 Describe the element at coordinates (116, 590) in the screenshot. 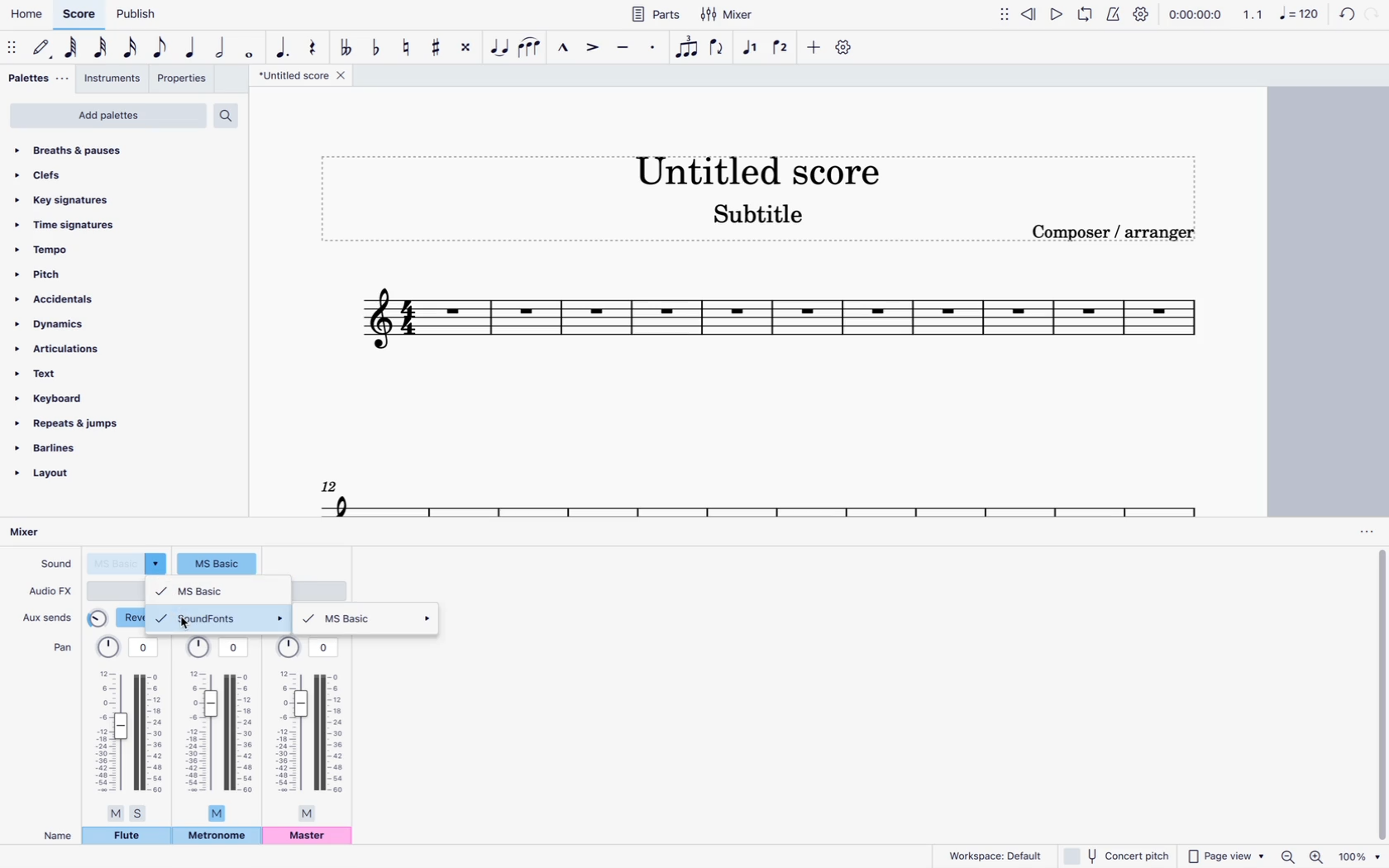

I see `audio type` at that location.